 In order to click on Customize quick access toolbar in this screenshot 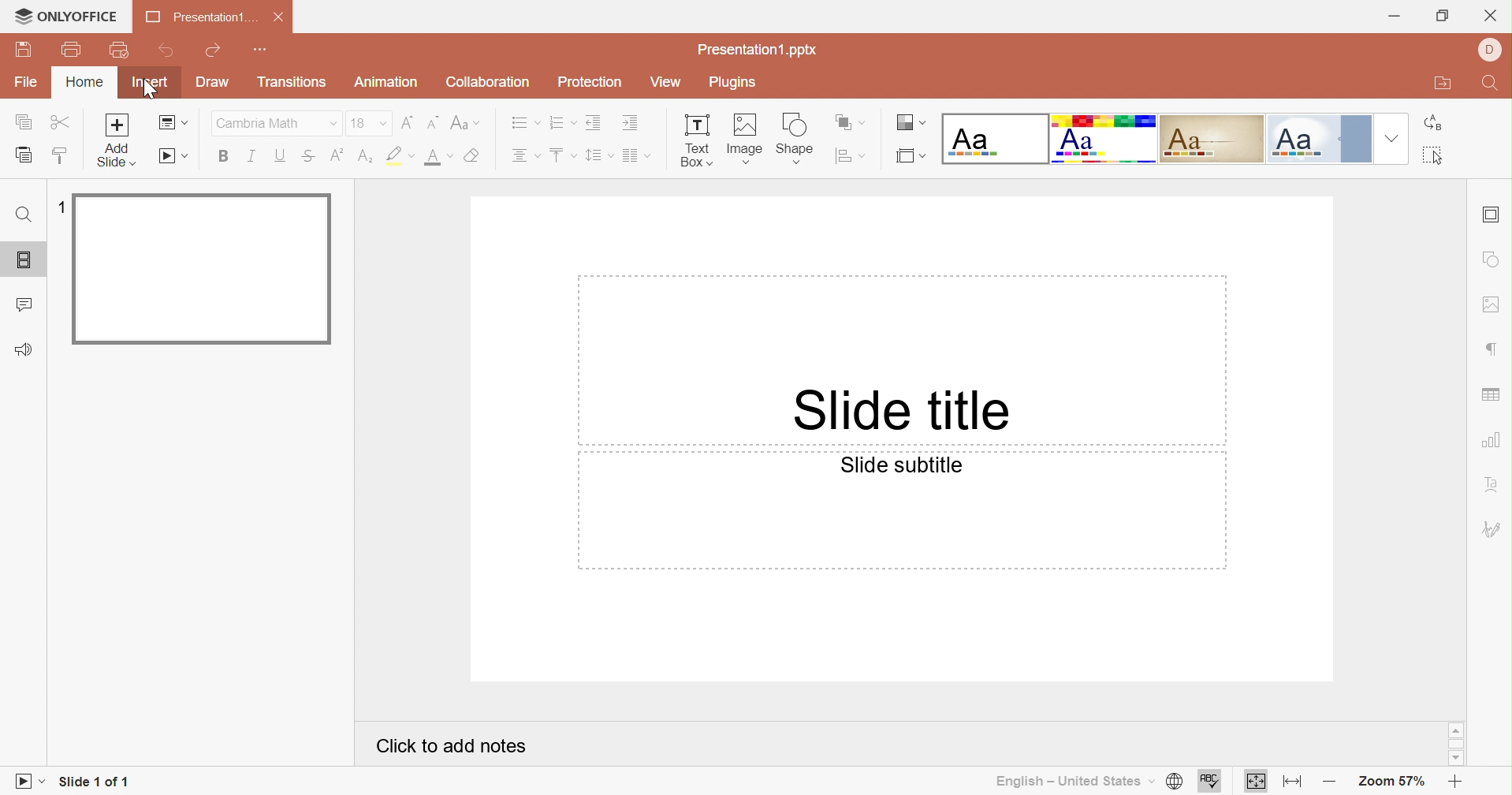, I will do `click(259, 48)`.